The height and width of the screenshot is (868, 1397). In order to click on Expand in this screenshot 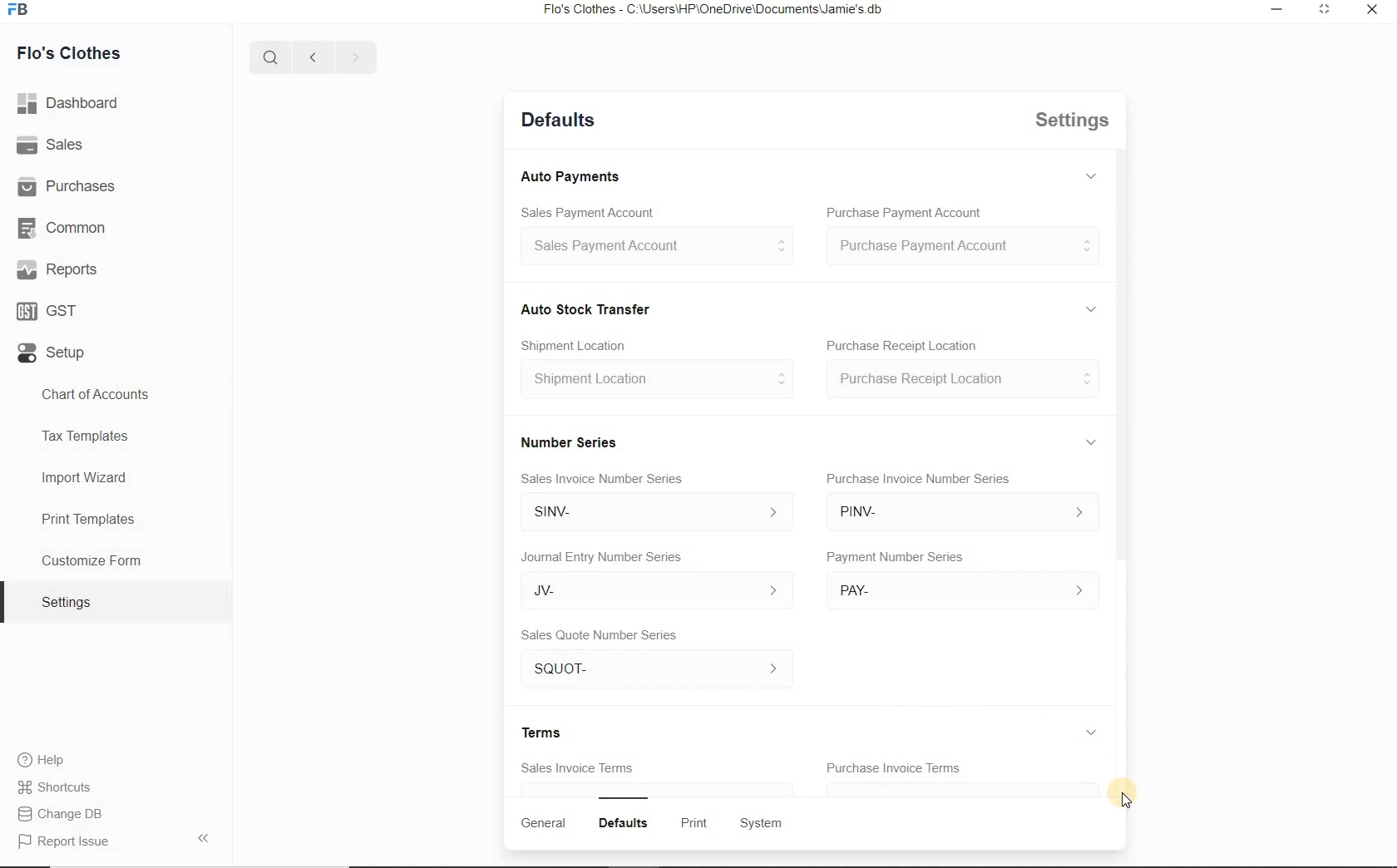, I will do `click(1089, 444)`.